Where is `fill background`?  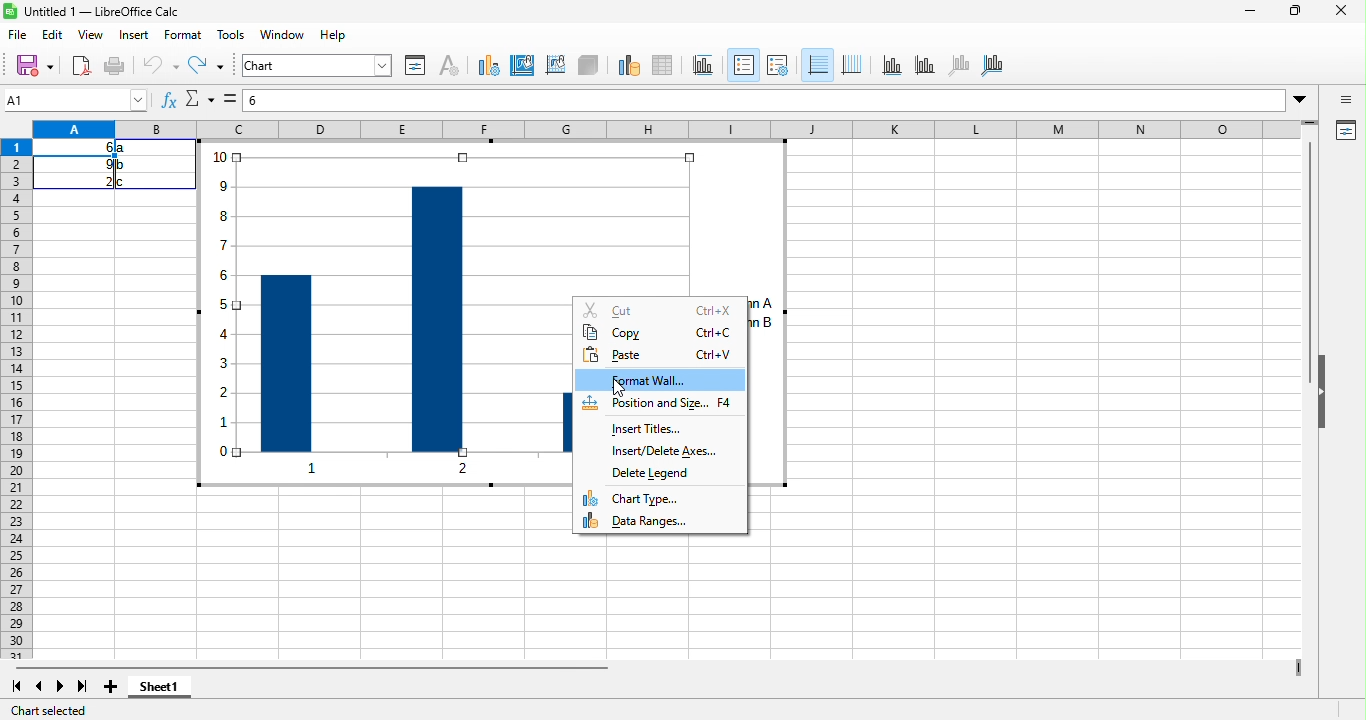
fill background is located at coordinates (525, 67).